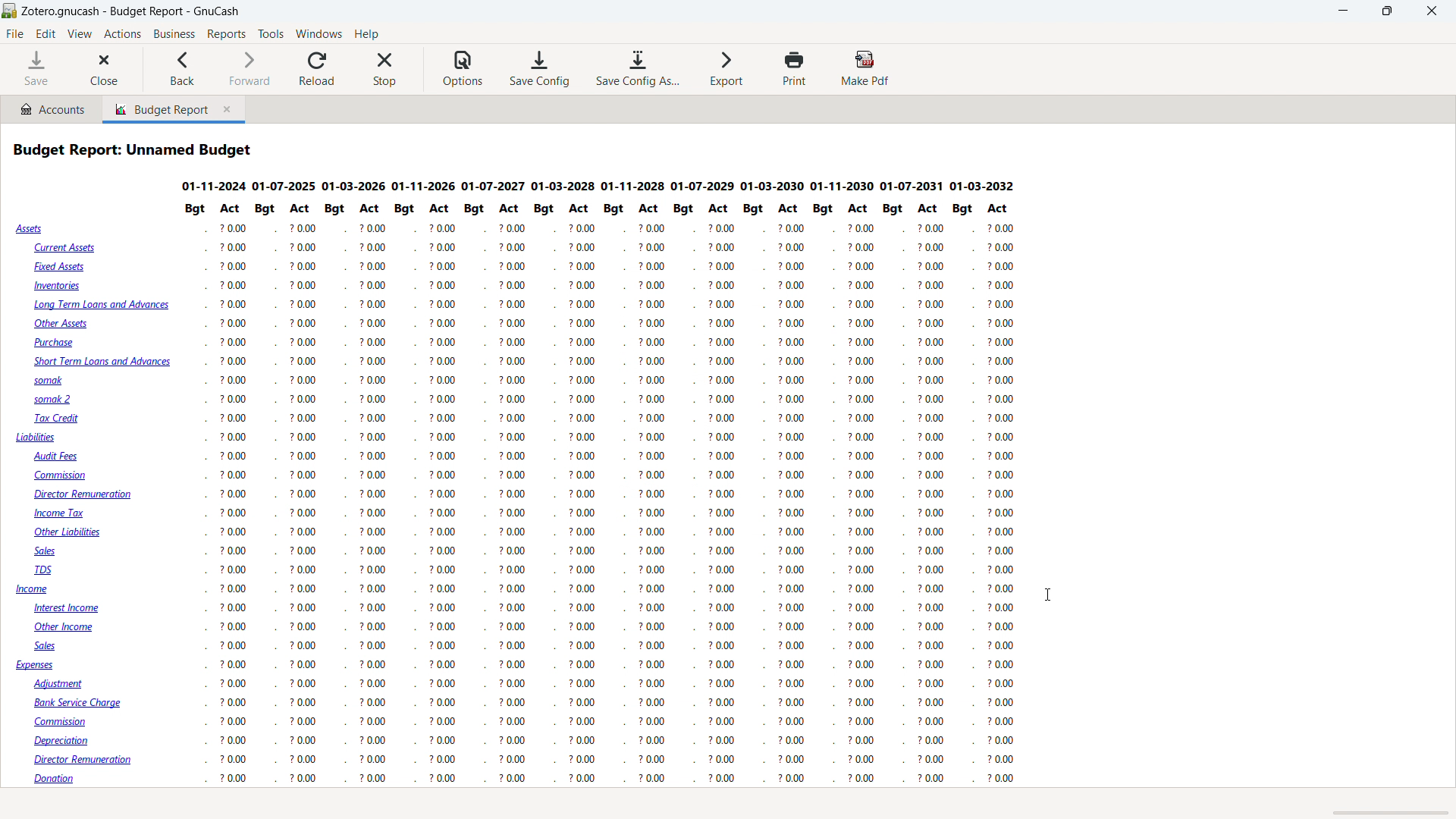 The image size is (1456, 819). I want to click on Assets, so click(31, 229).